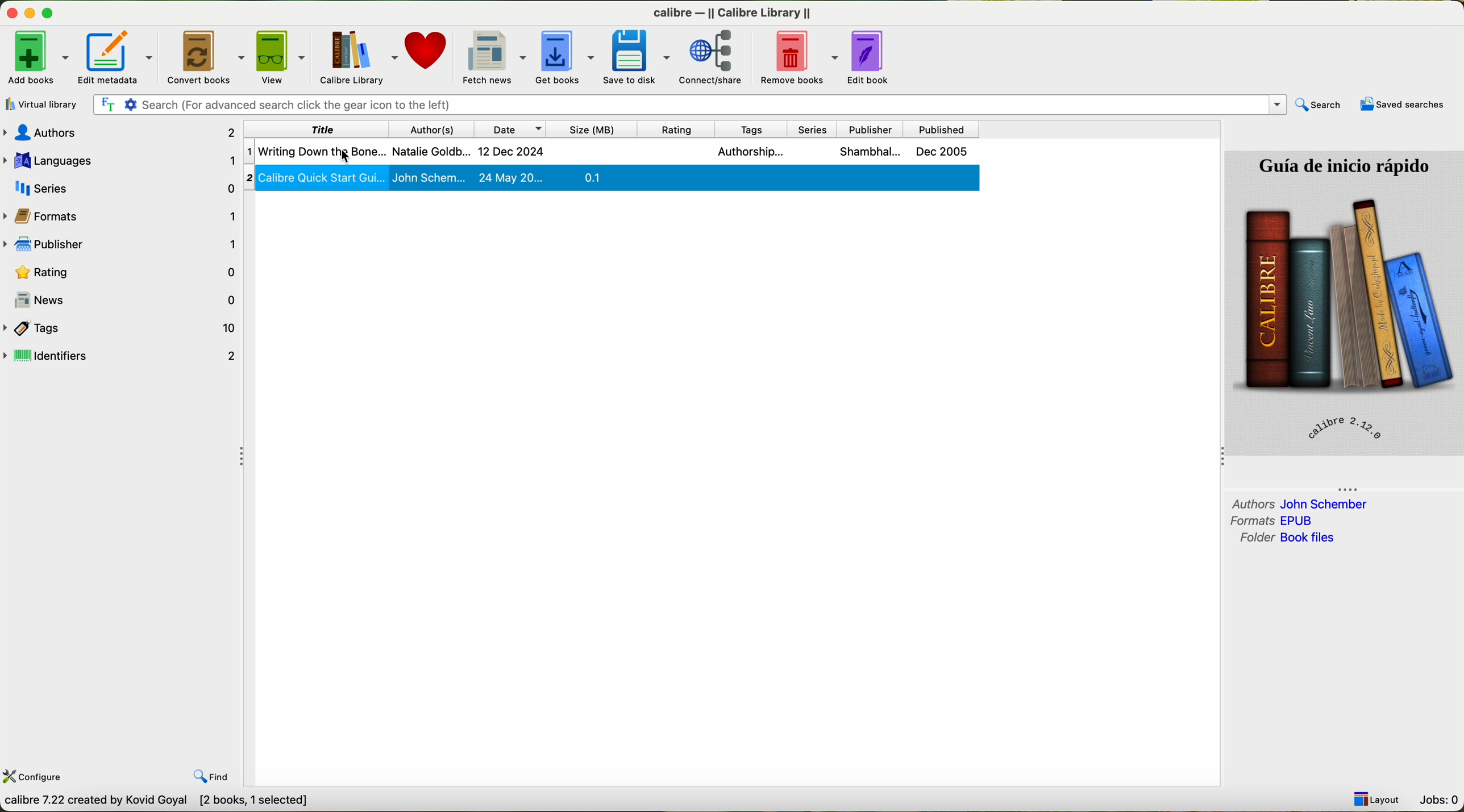  I want to click on folder, so click(1286, 539).